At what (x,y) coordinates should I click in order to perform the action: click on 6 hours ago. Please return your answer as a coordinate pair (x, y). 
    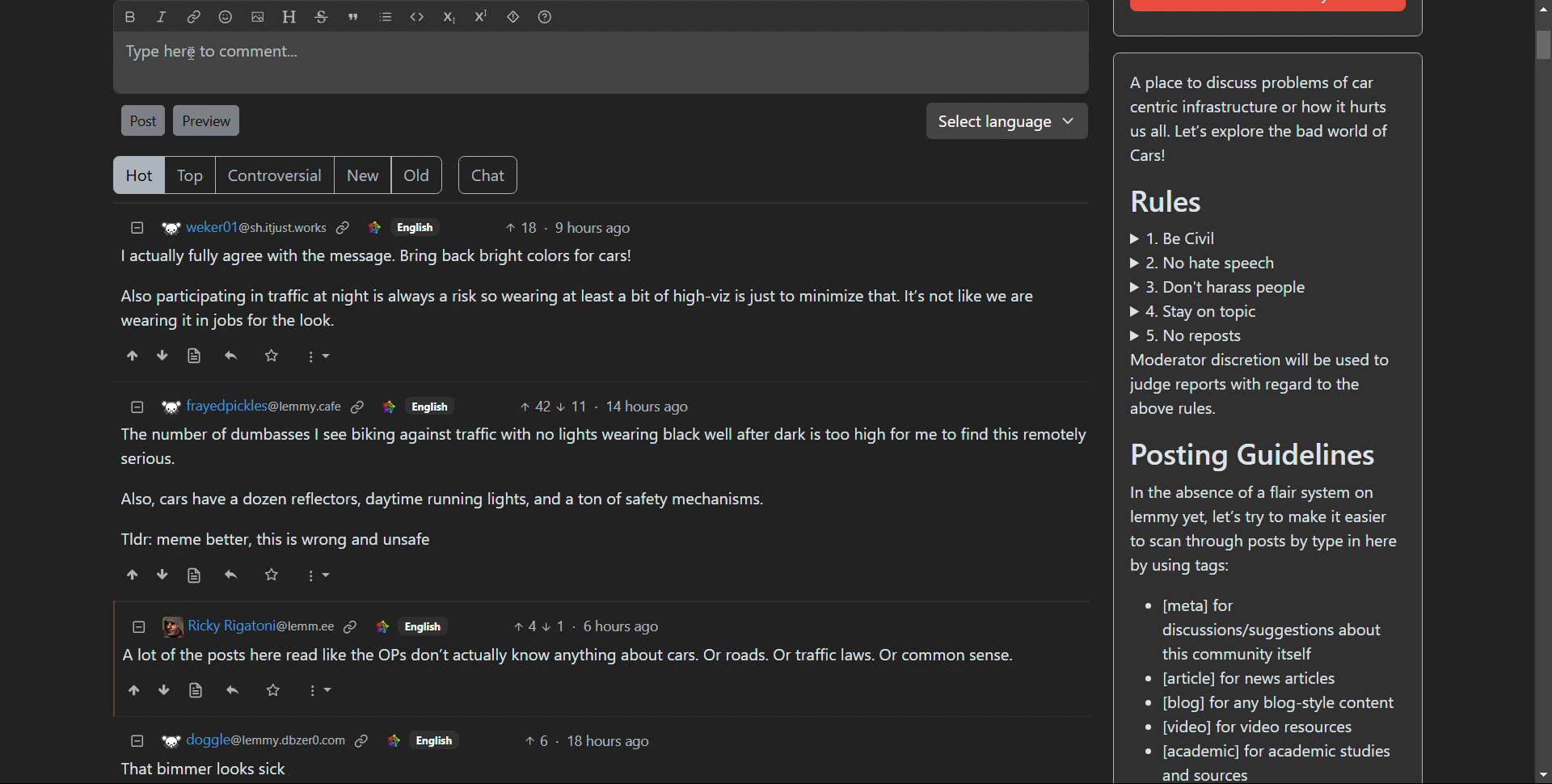
    Looking at the image, I should click on (623, 626).